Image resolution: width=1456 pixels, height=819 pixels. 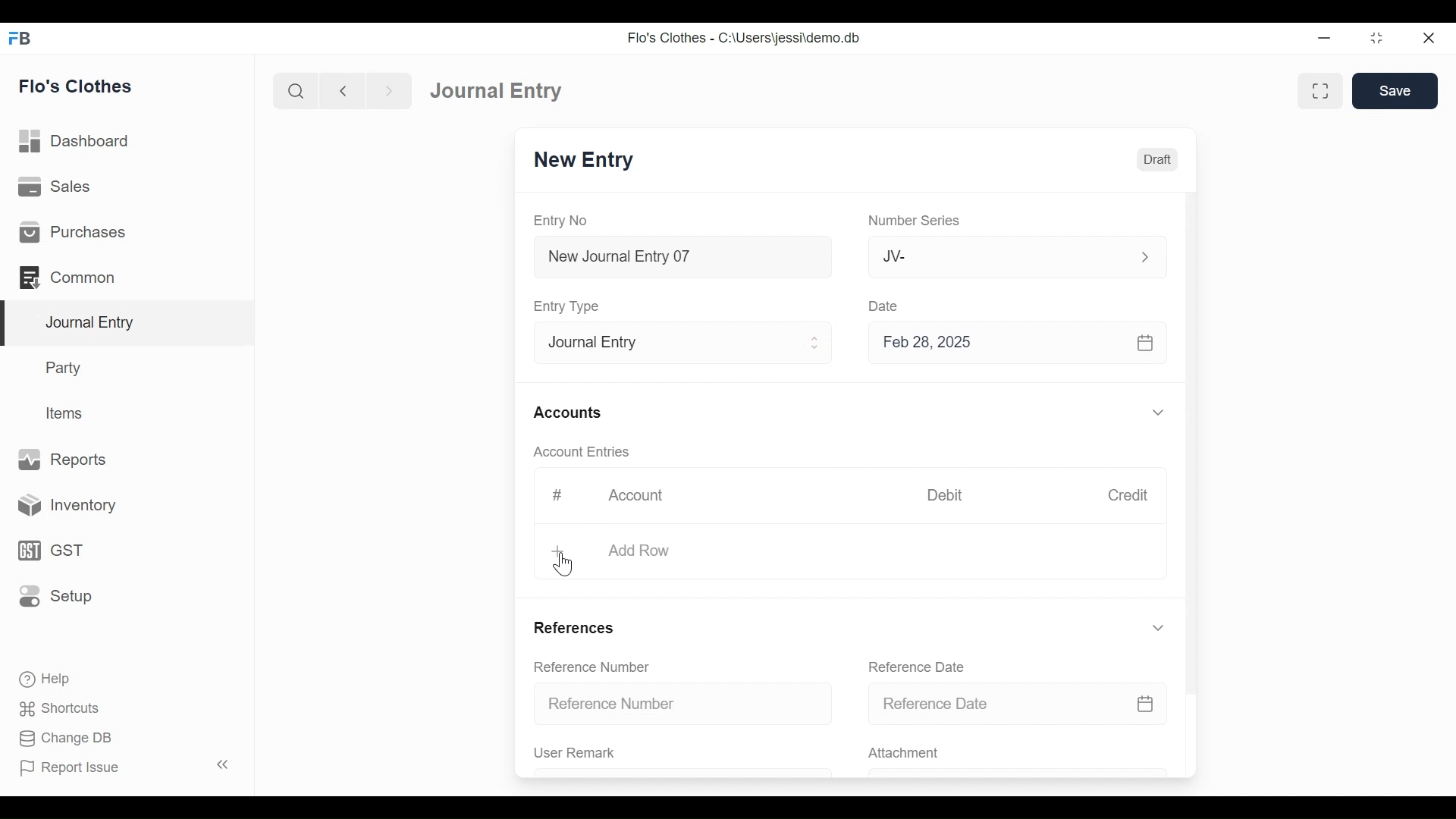 I want to click on Draft, so click(x=1154, y=160).